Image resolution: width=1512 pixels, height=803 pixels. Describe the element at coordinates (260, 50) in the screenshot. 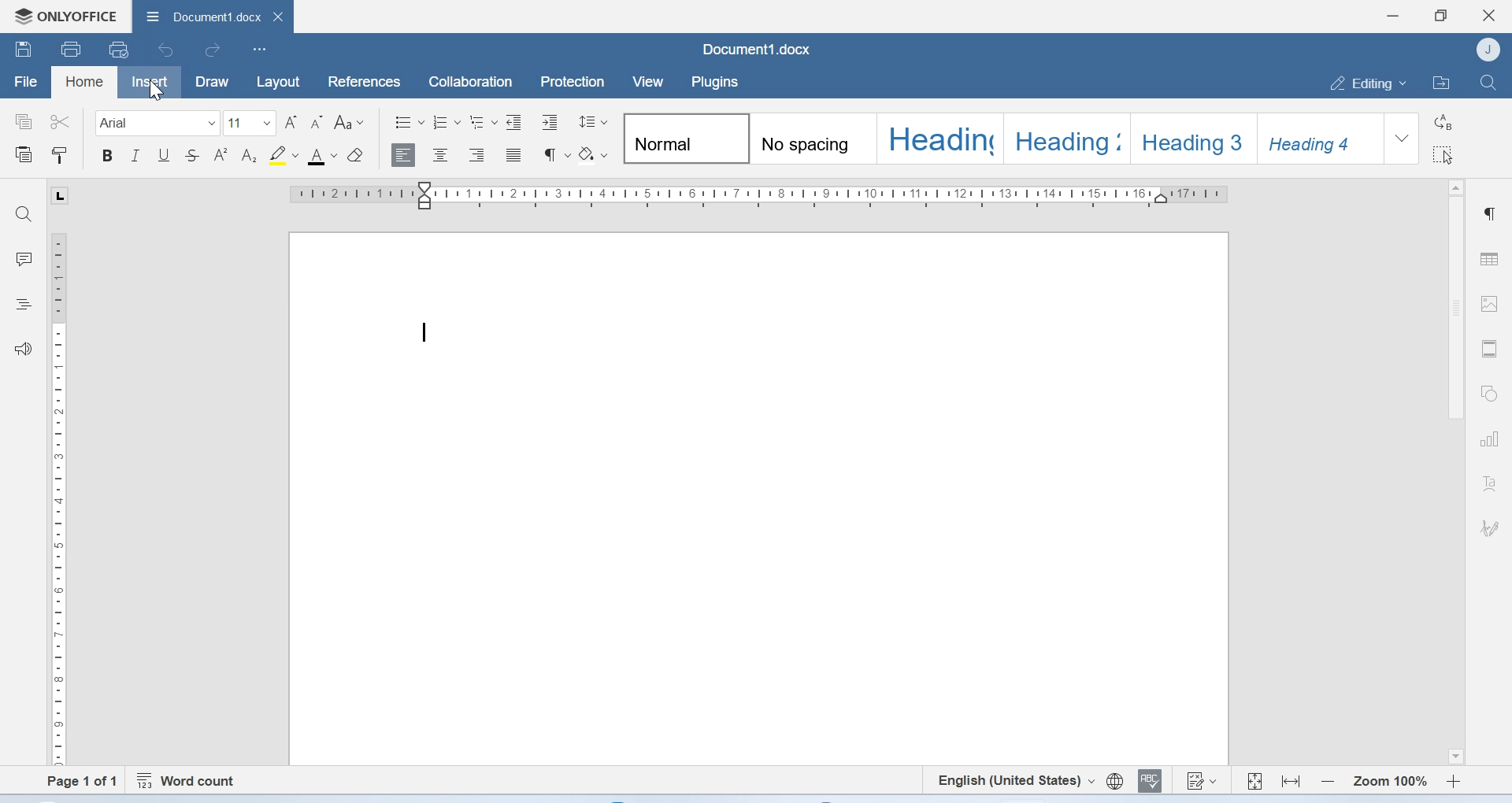

I see `Customize Quick Access Toolbar` at that location.